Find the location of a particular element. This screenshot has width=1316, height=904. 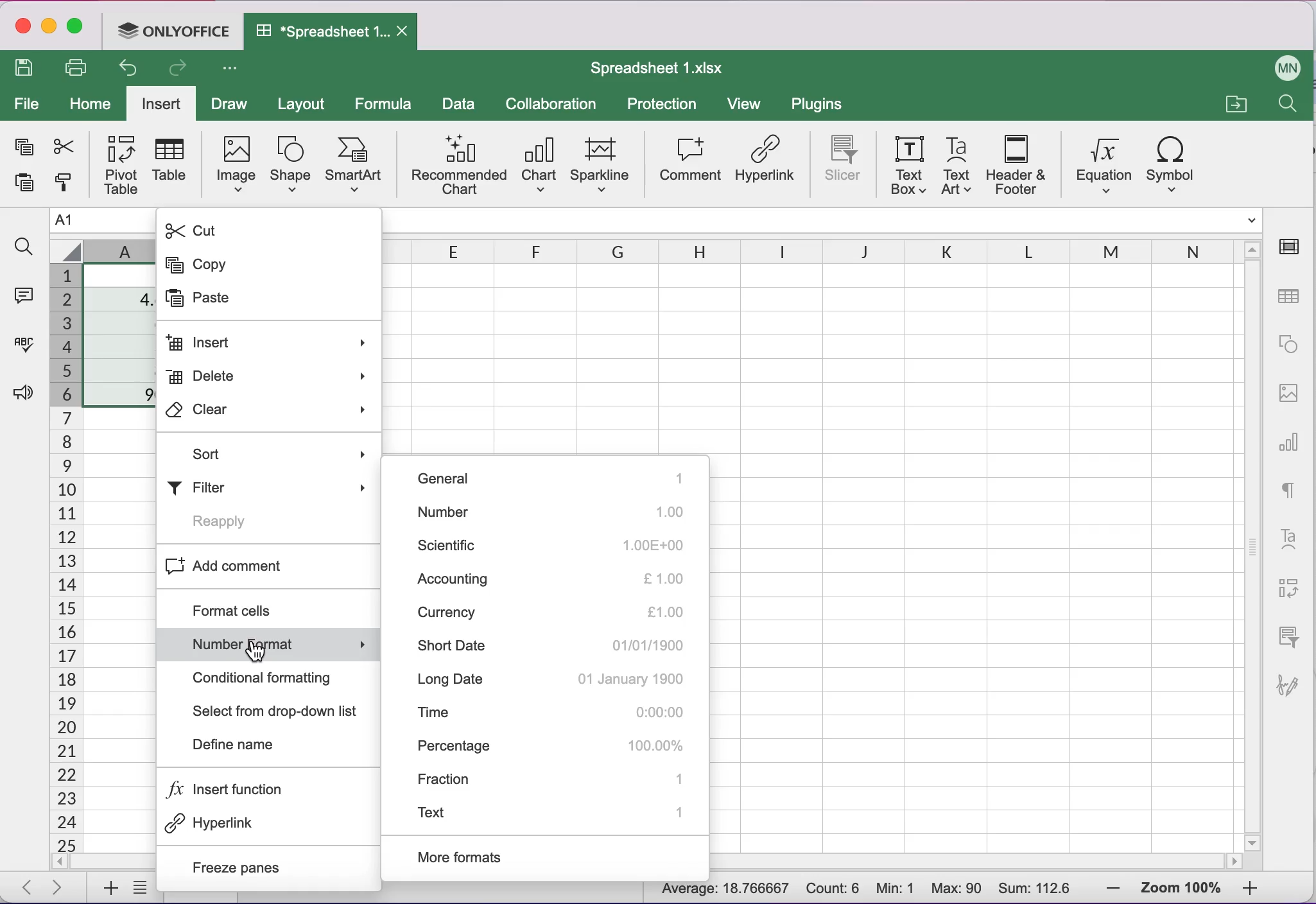

next sheet is located at coordinates (56, 889).